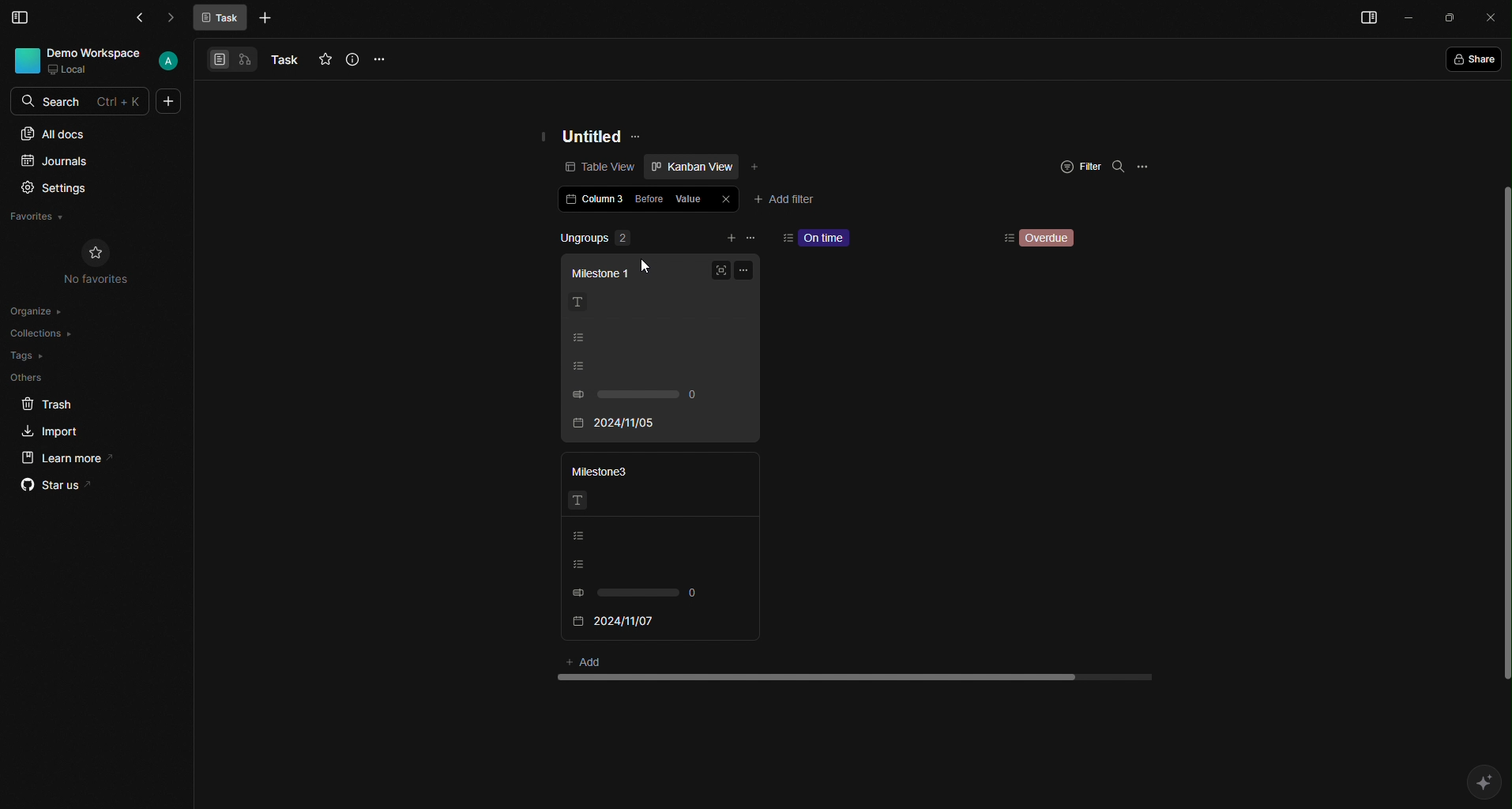  What do you see at coordinates (1493, 16) in the screenshot?
I see `Close` at bounding box center [1493, 16].